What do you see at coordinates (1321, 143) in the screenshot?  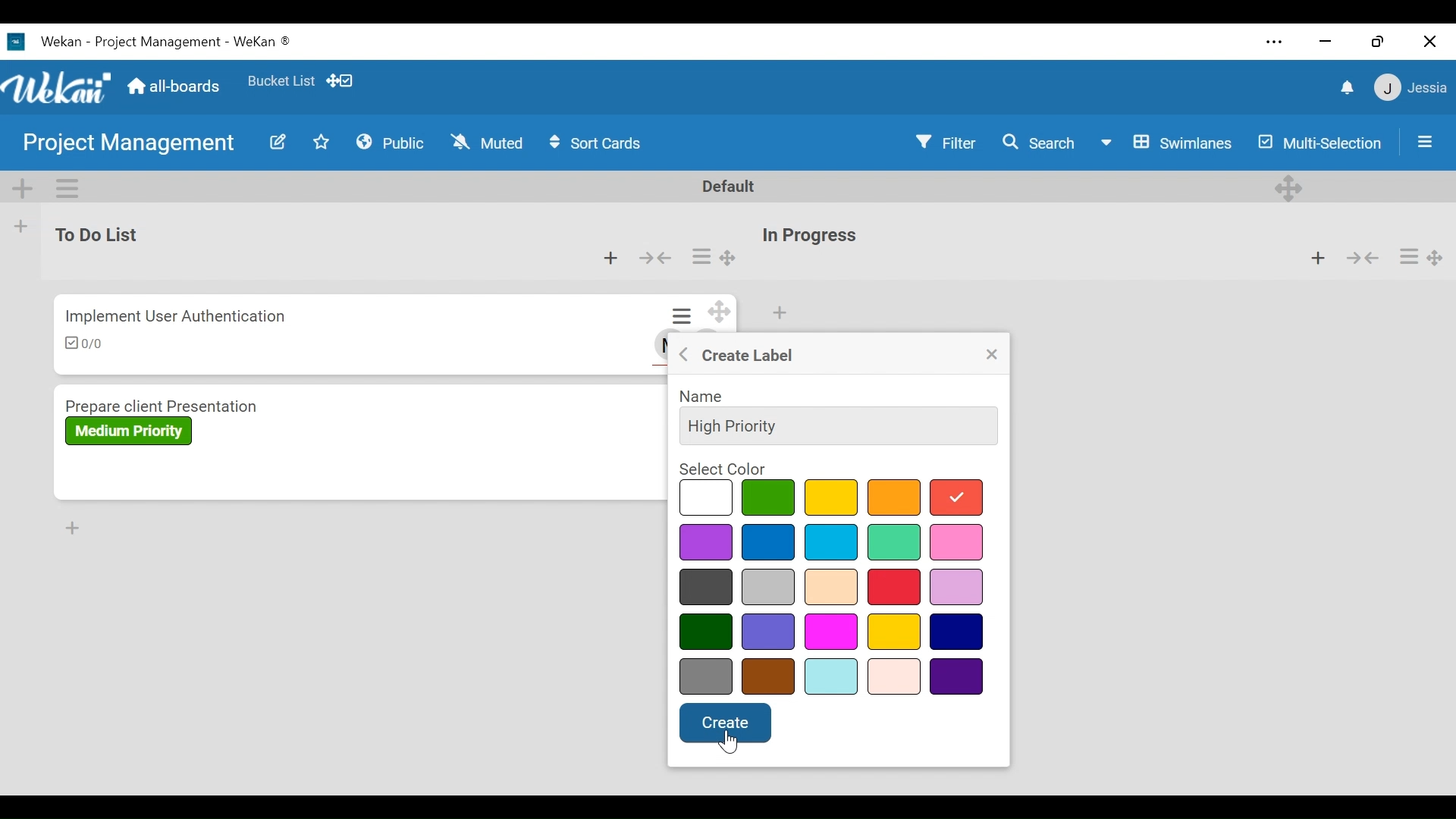 I see `Multi-Selection` at bounding box center [1321, 143].